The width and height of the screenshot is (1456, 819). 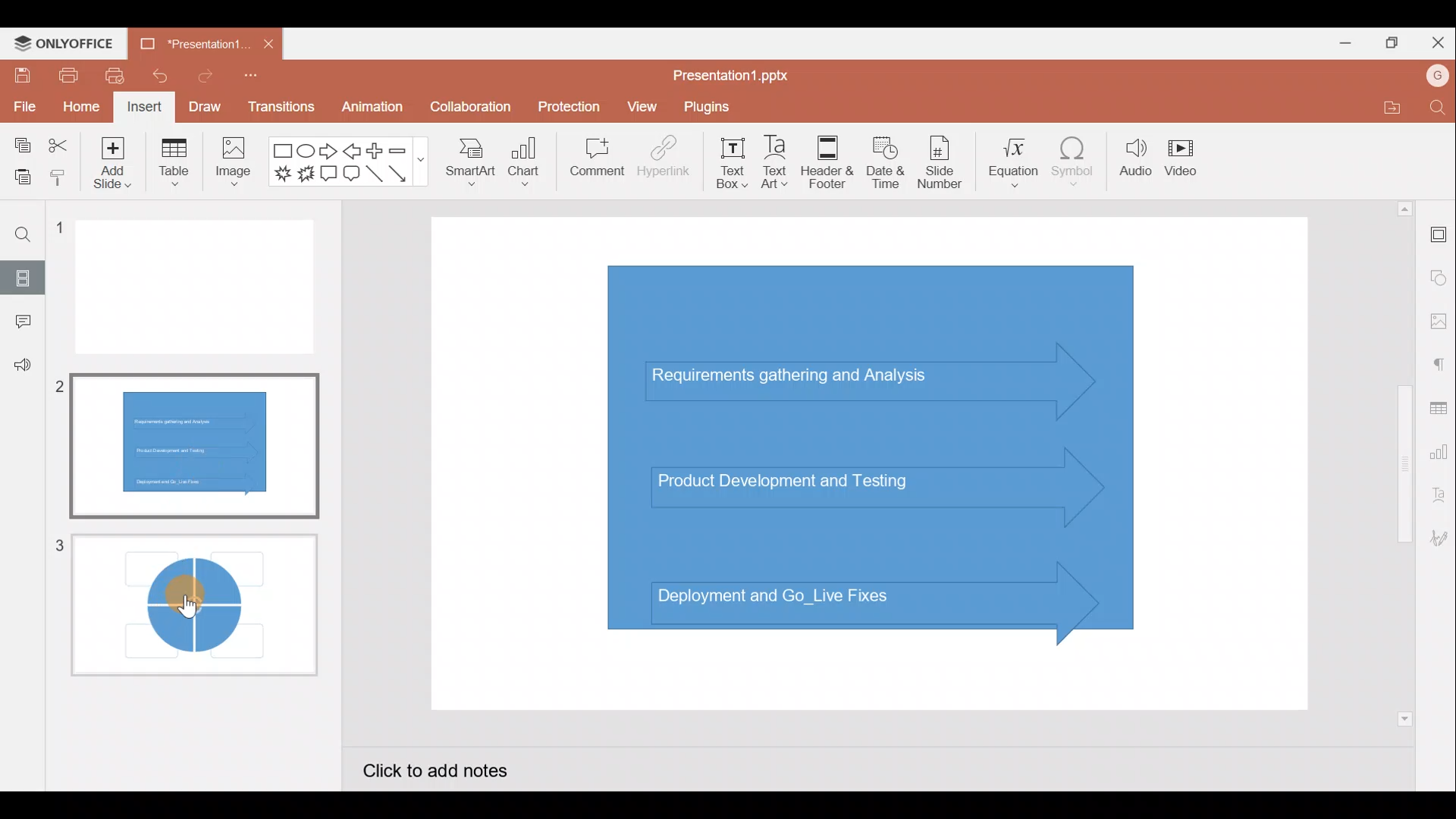 What do you see at coordinates (1437, 500) in the screenshot?
I see `Text Art settings` at bounding box center [1437, 500].